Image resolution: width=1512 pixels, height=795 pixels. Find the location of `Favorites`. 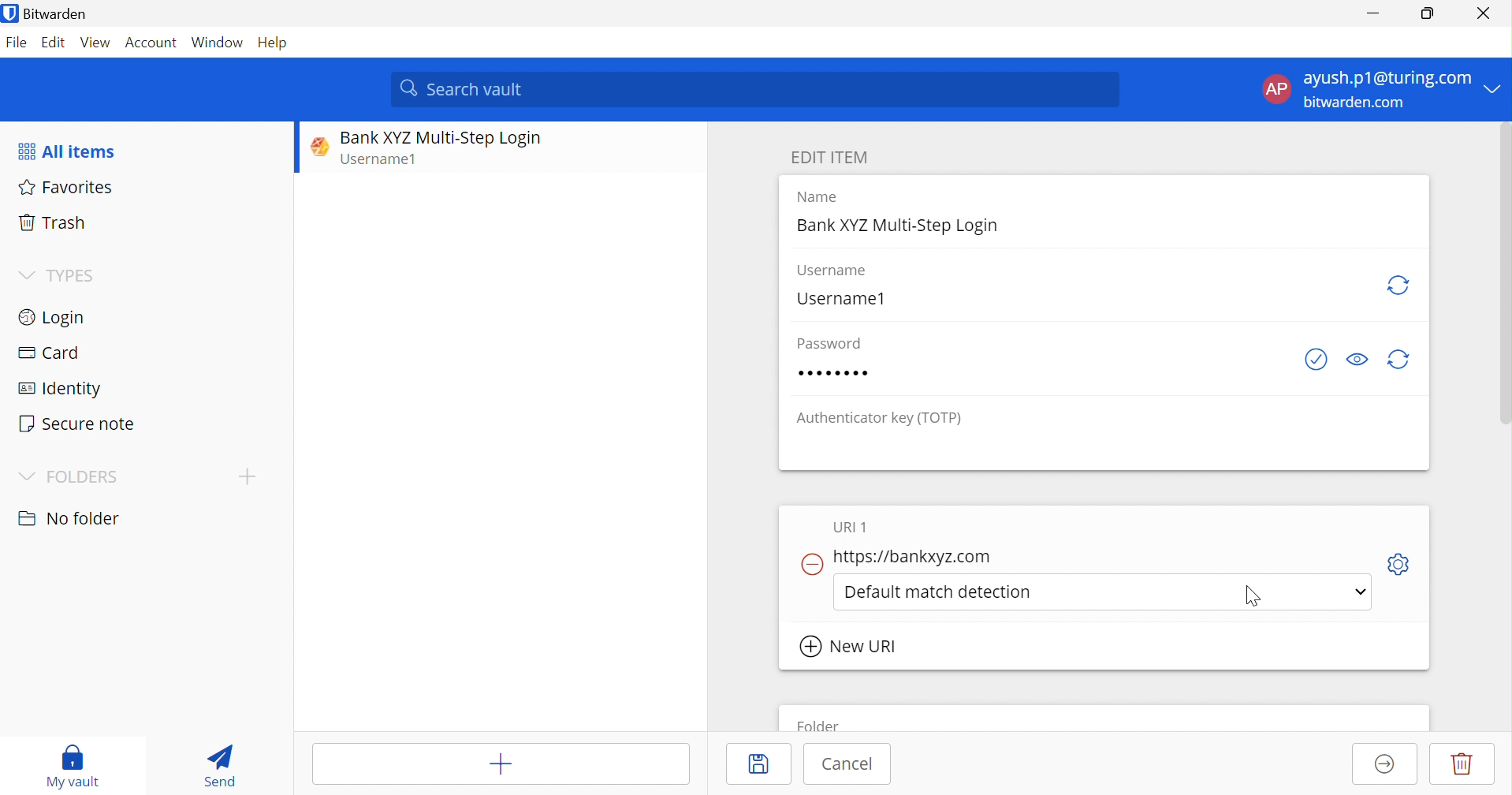

Favorites is located at coordinates (69, 188).